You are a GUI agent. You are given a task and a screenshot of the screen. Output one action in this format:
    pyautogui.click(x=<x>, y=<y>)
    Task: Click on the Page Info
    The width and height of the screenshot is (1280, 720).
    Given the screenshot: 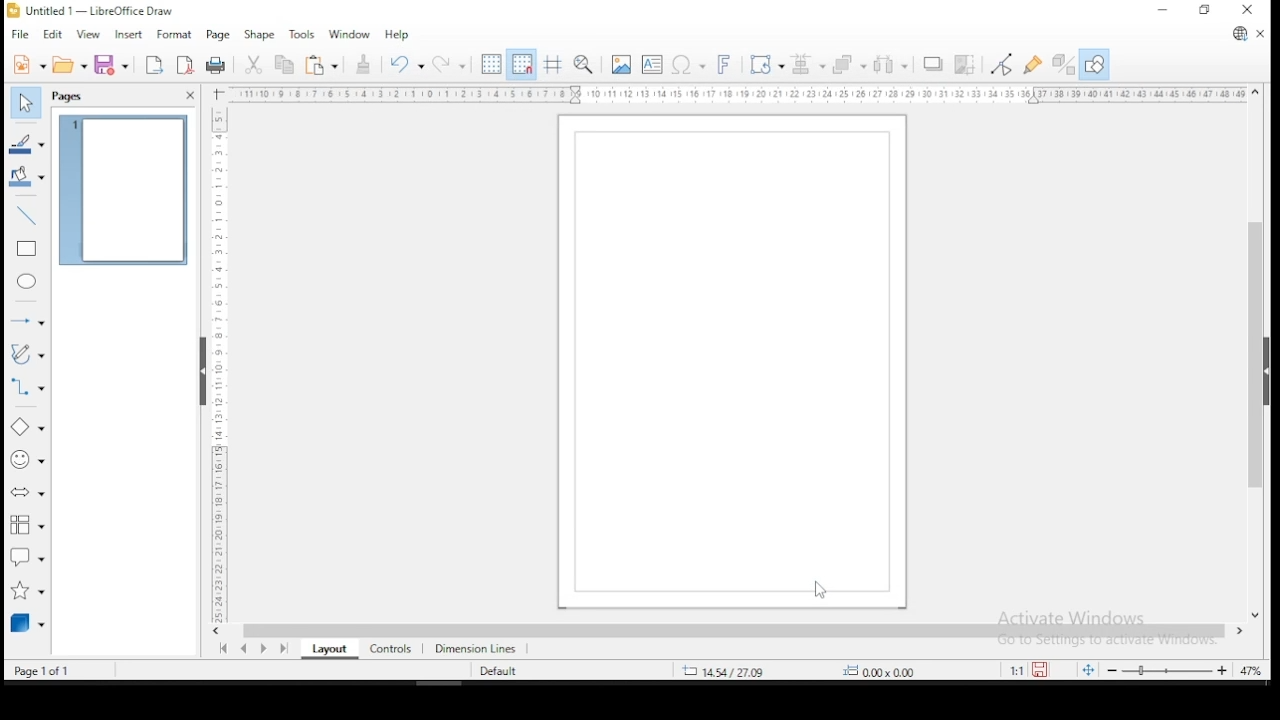 What is the action you would take?
    pyautogui.click(x=57, y=670)
    